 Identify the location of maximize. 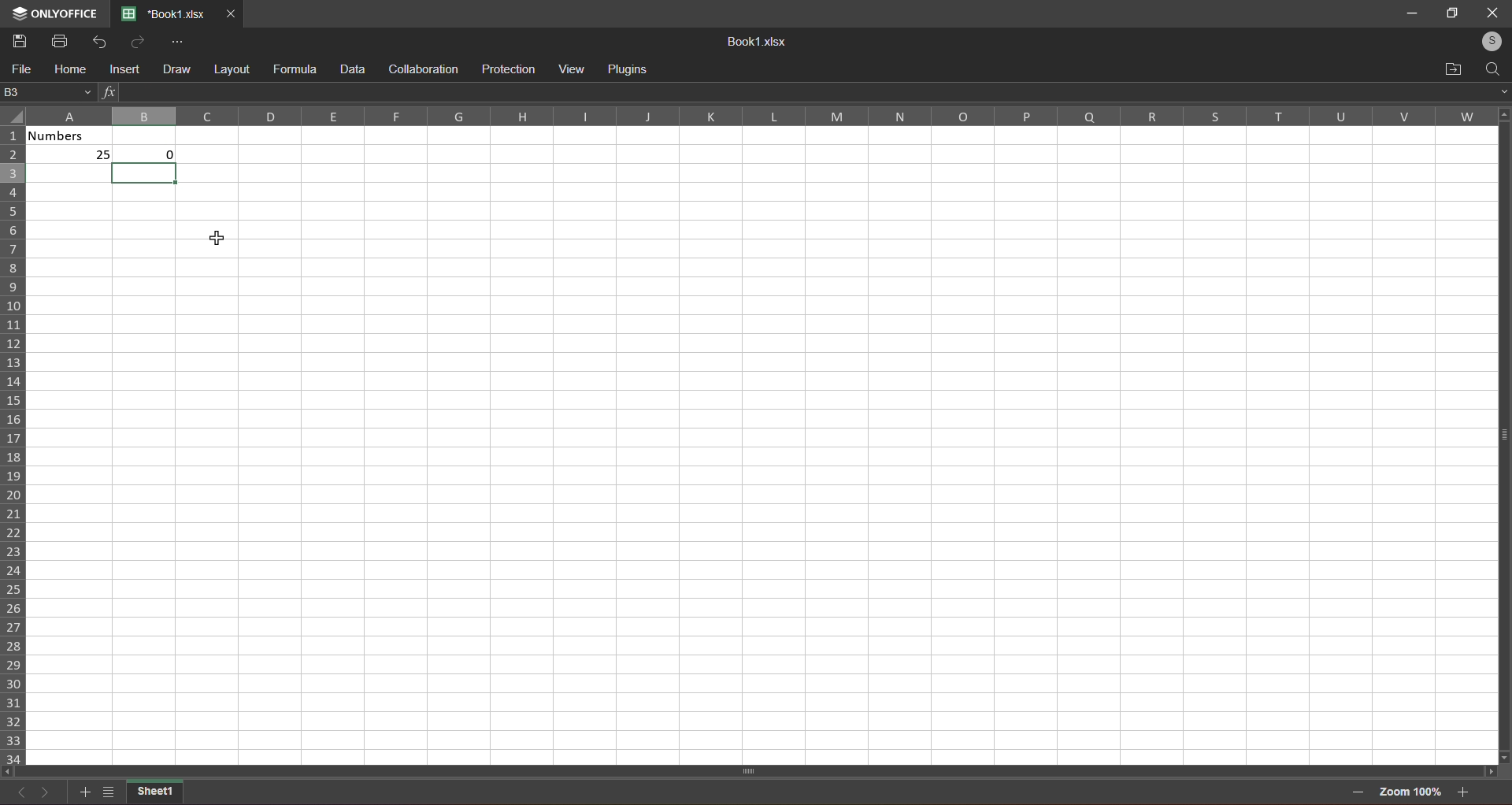
(1451, 13).